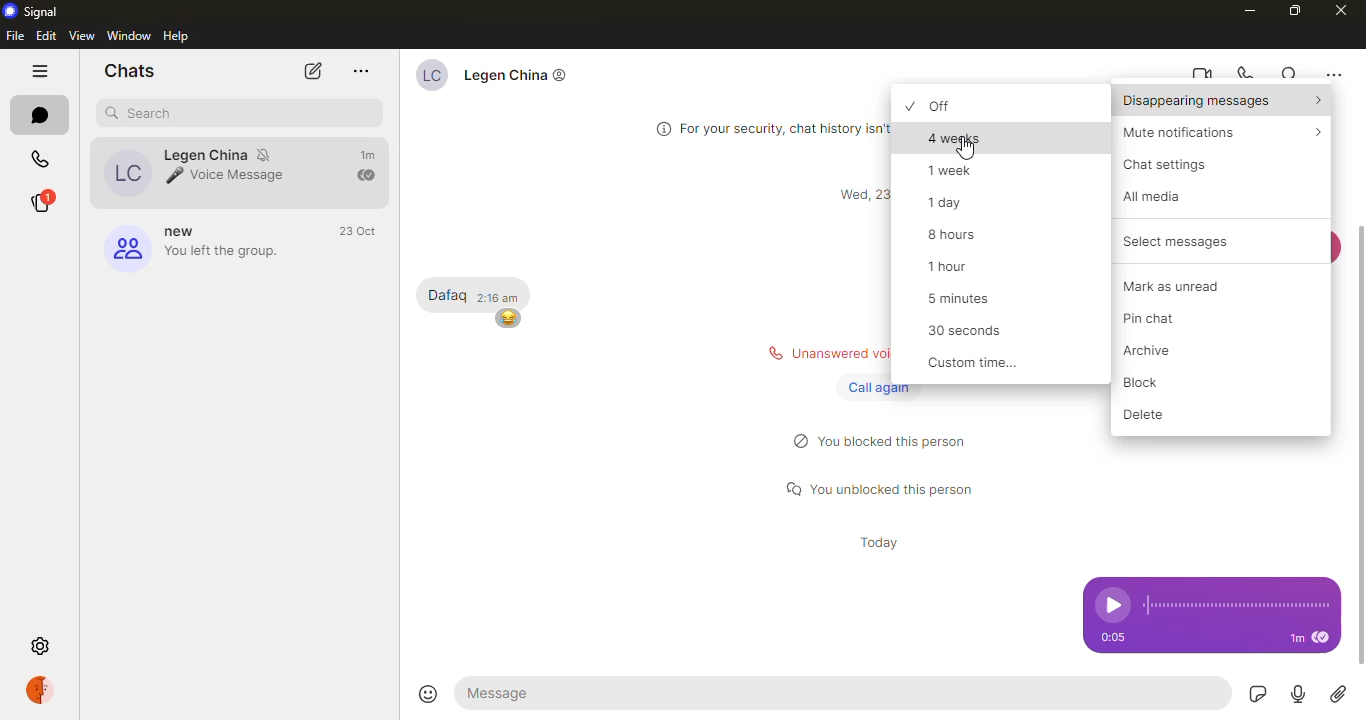 This screenshot has height=720, width=1366. What do you see at coordinates (1171, 165) in the screenshot?
I see `chat settings` at bounding box center [1171, 165].